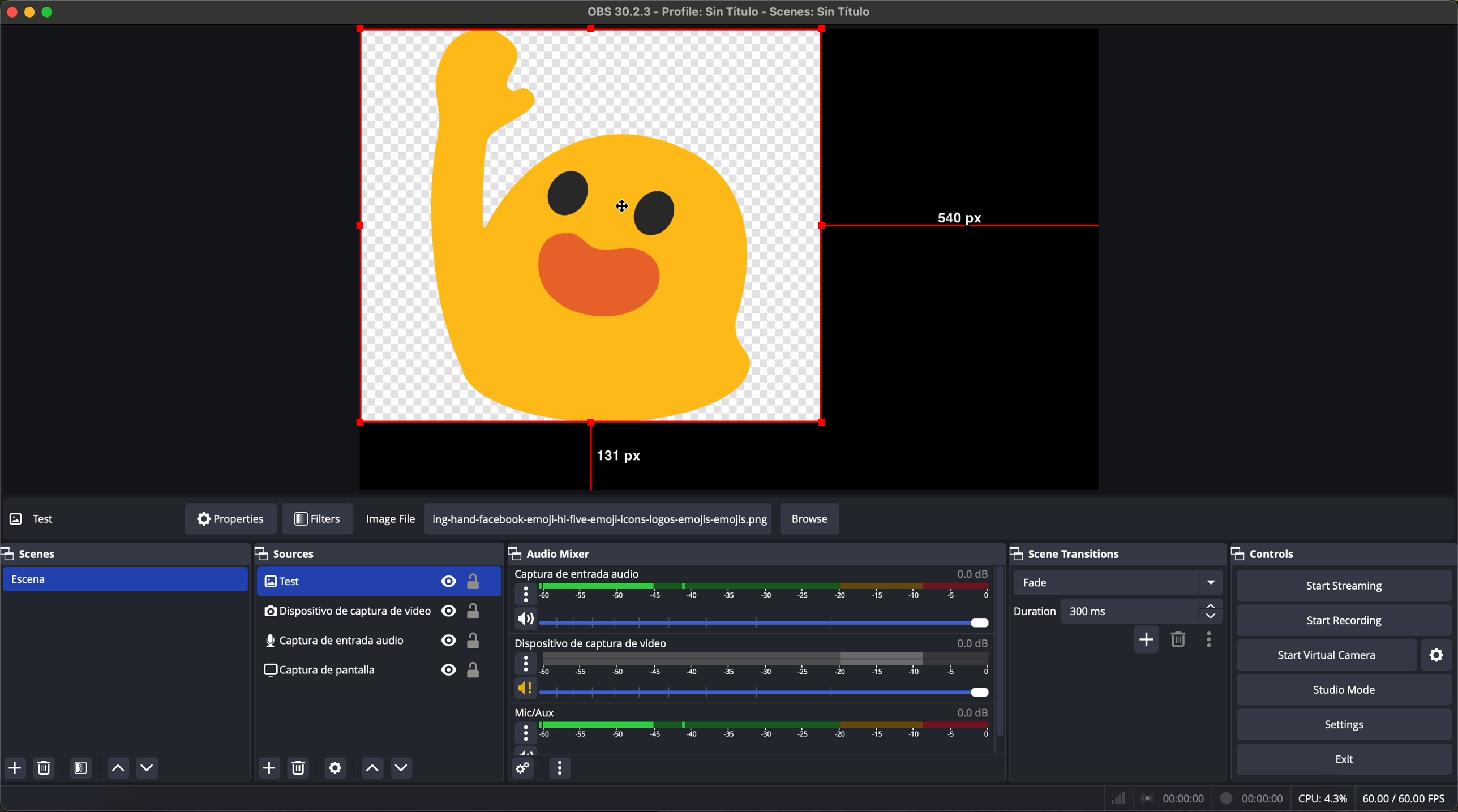  I want to click on move source down, so click(398, 769).